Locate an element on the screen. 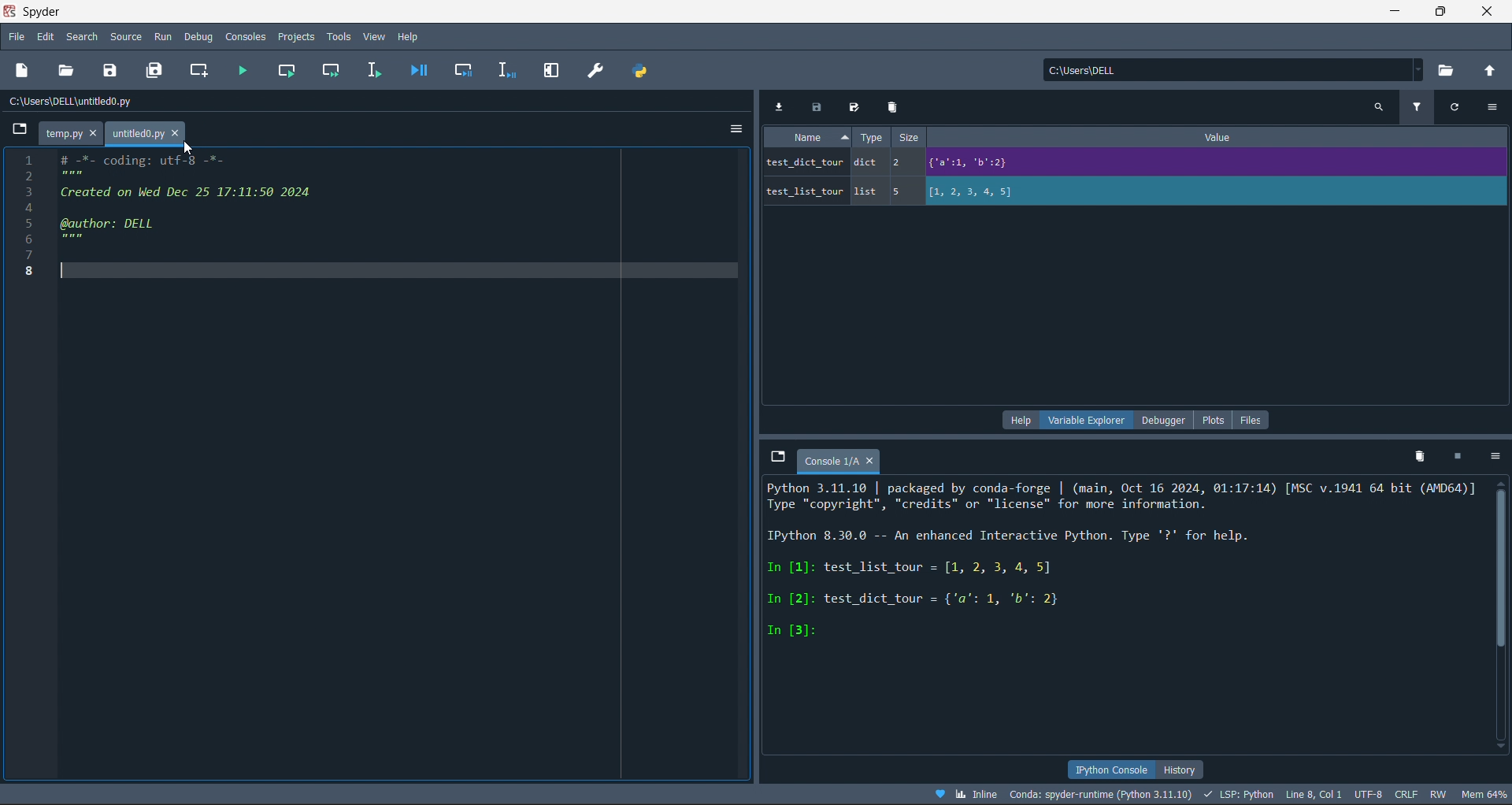 The width and height of the screenshot is (1512, 805). options is located at coordinates (736, 125).